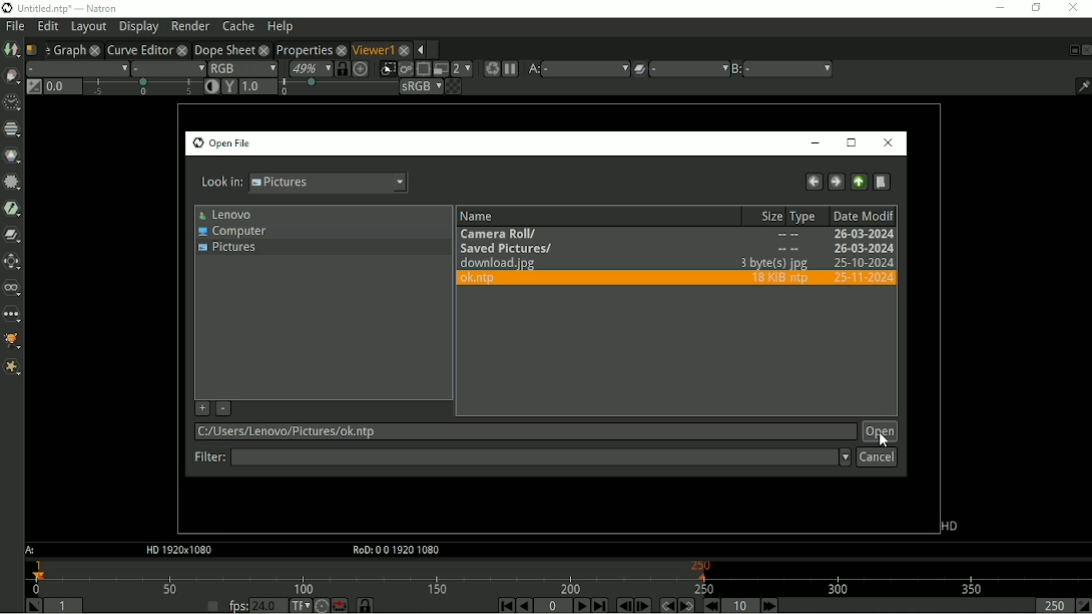 This screenshot has height=614, width=1092. Describe the element at coordinates (639, 69) in the screenshot. I see `Operation applied between viewer input A and B` at that location.